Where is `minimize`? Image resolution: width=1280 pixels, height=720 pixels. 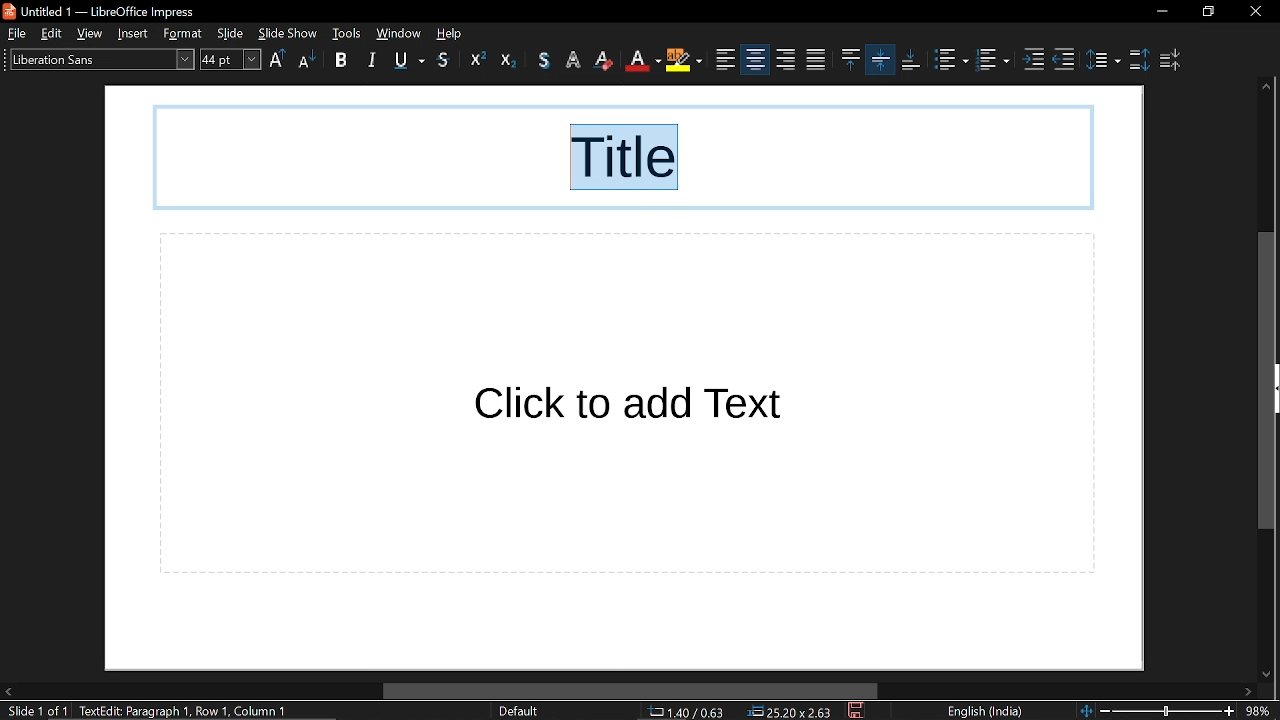
minimize is located at coordinates (1161, 12).